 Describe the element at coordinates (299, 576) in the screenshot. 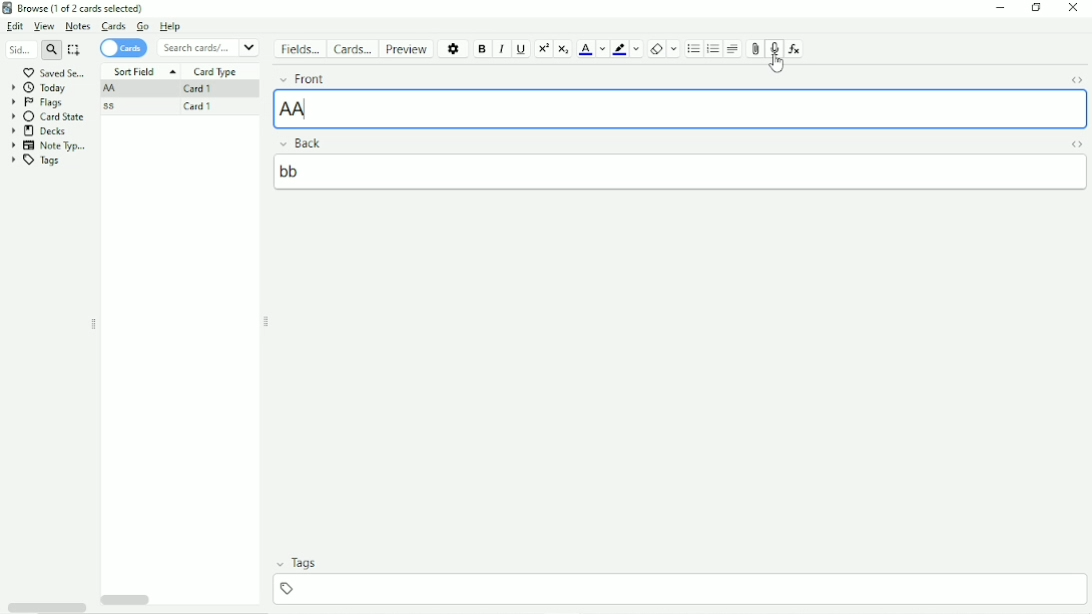

I see `Tags` at that location.